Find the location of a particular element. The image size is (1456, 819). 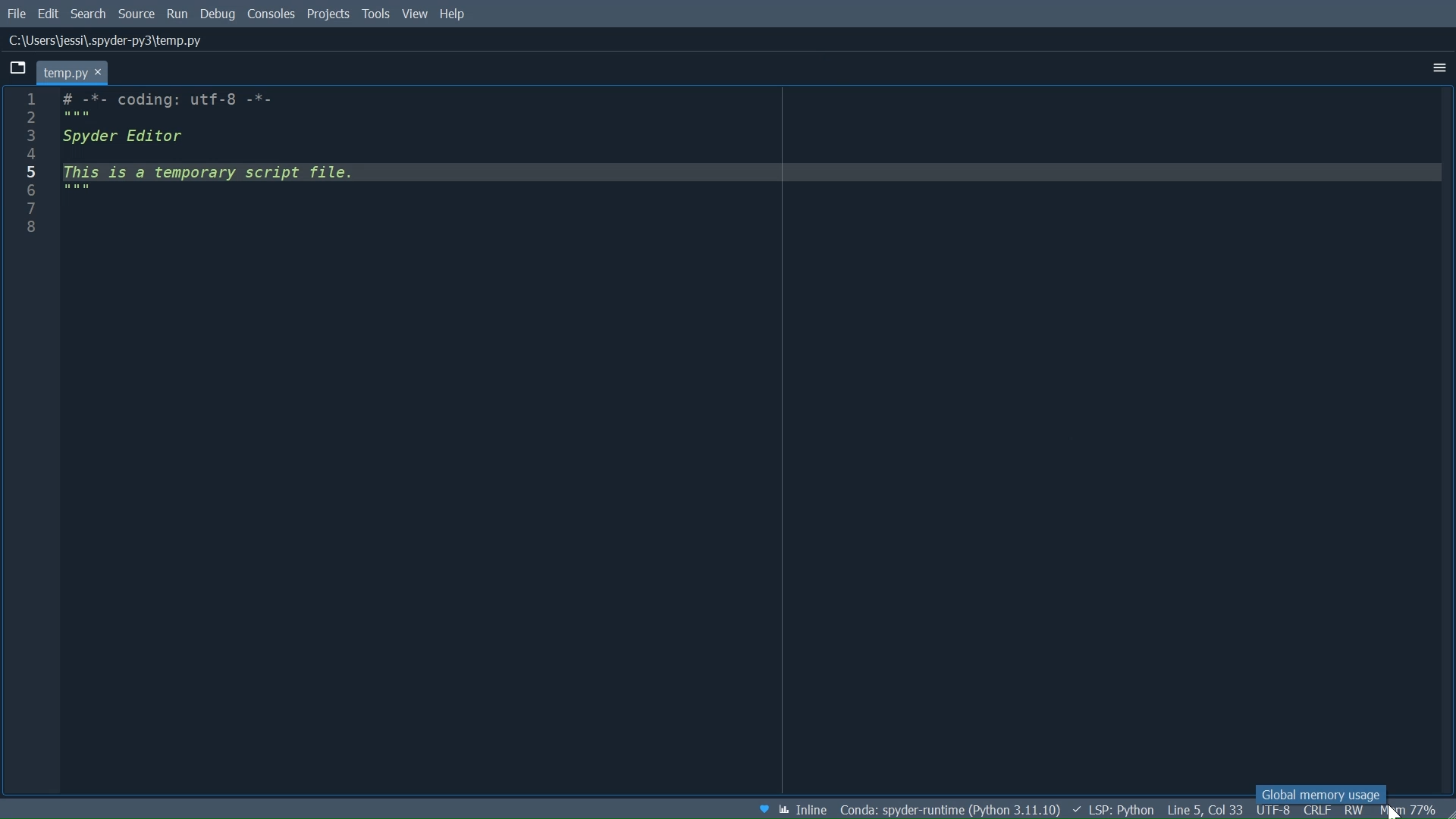

Source is located at coordinates (137, 14).